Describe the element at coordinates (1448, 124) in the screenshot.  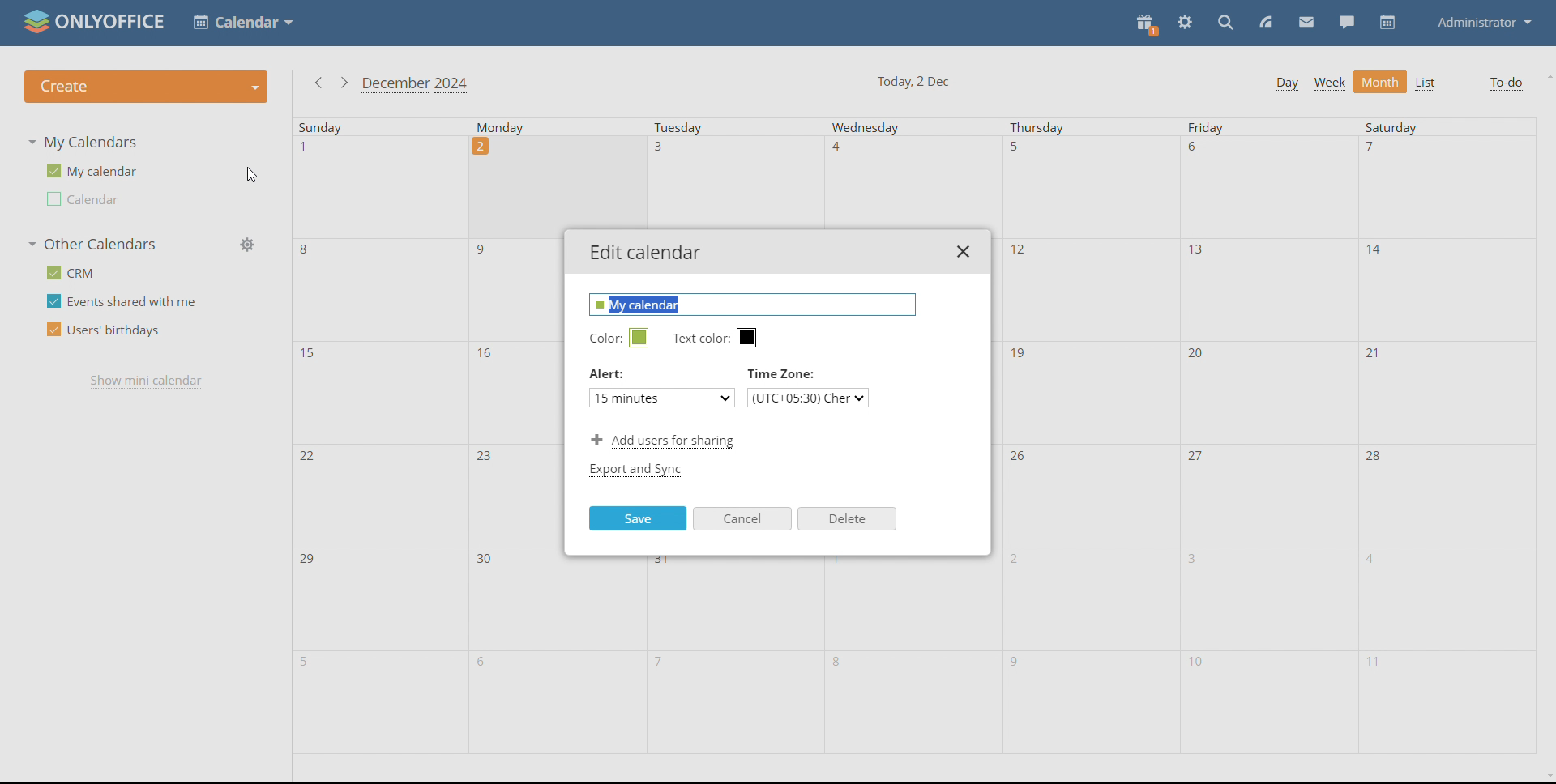
I see `saturday` at that location.